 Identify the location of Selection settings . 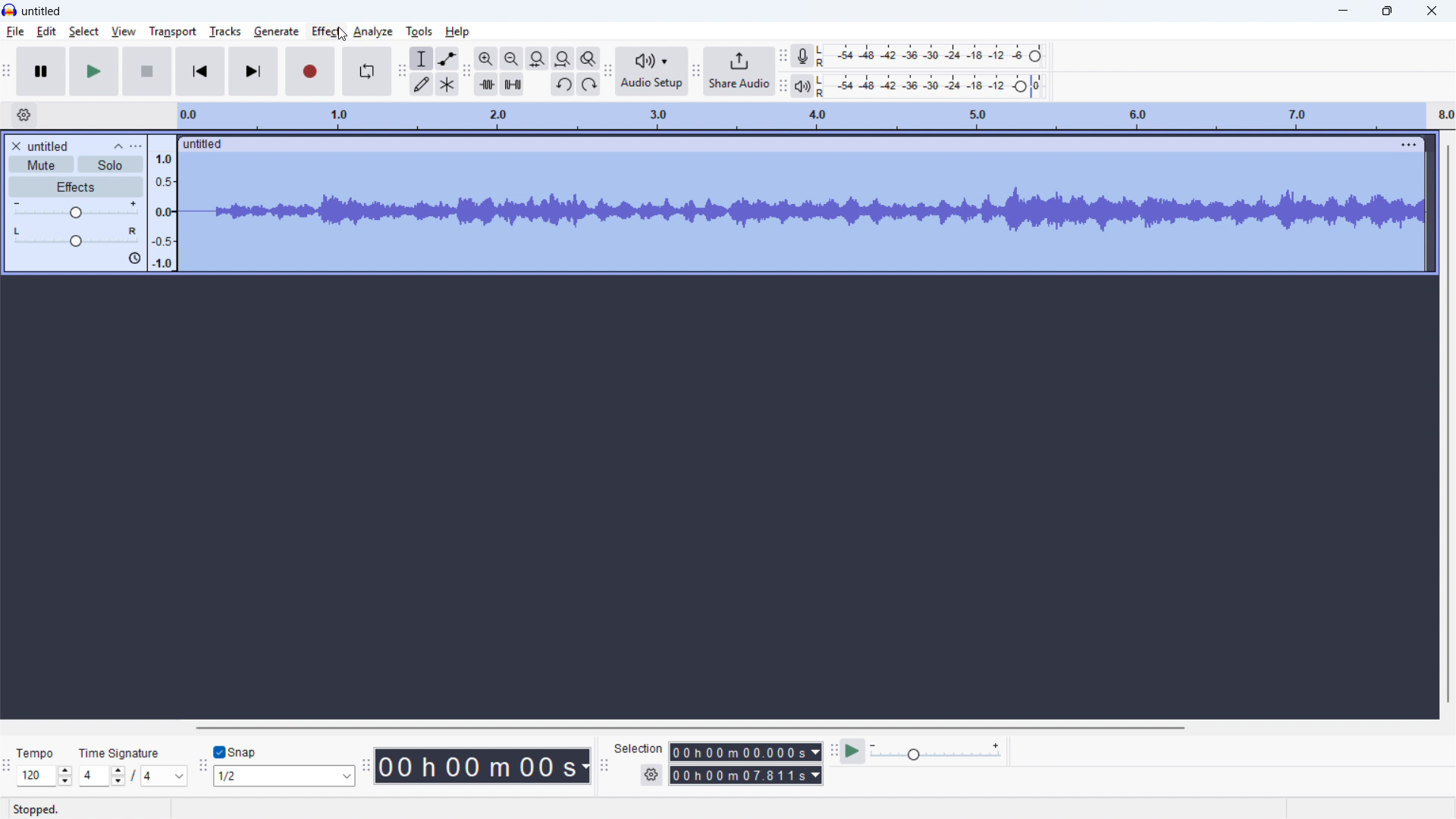
(651, 776).